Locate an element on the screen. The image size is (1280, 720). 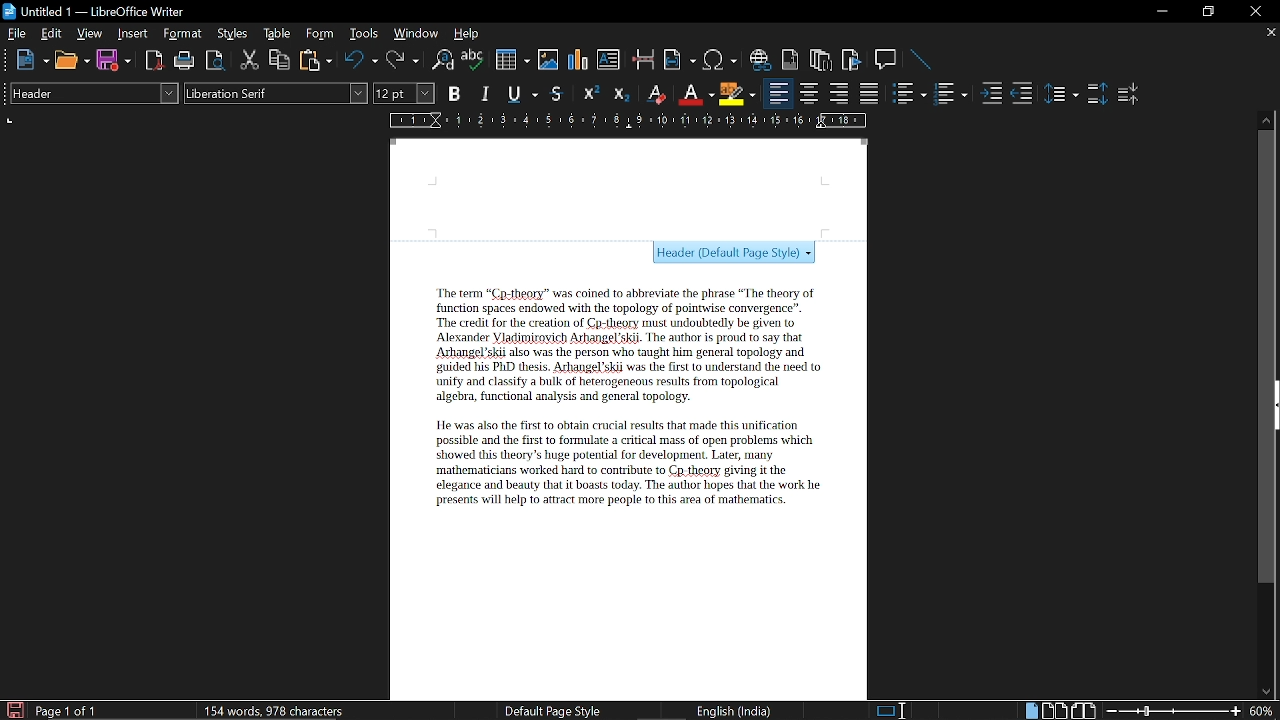
units is located at coordinates (11, 121).